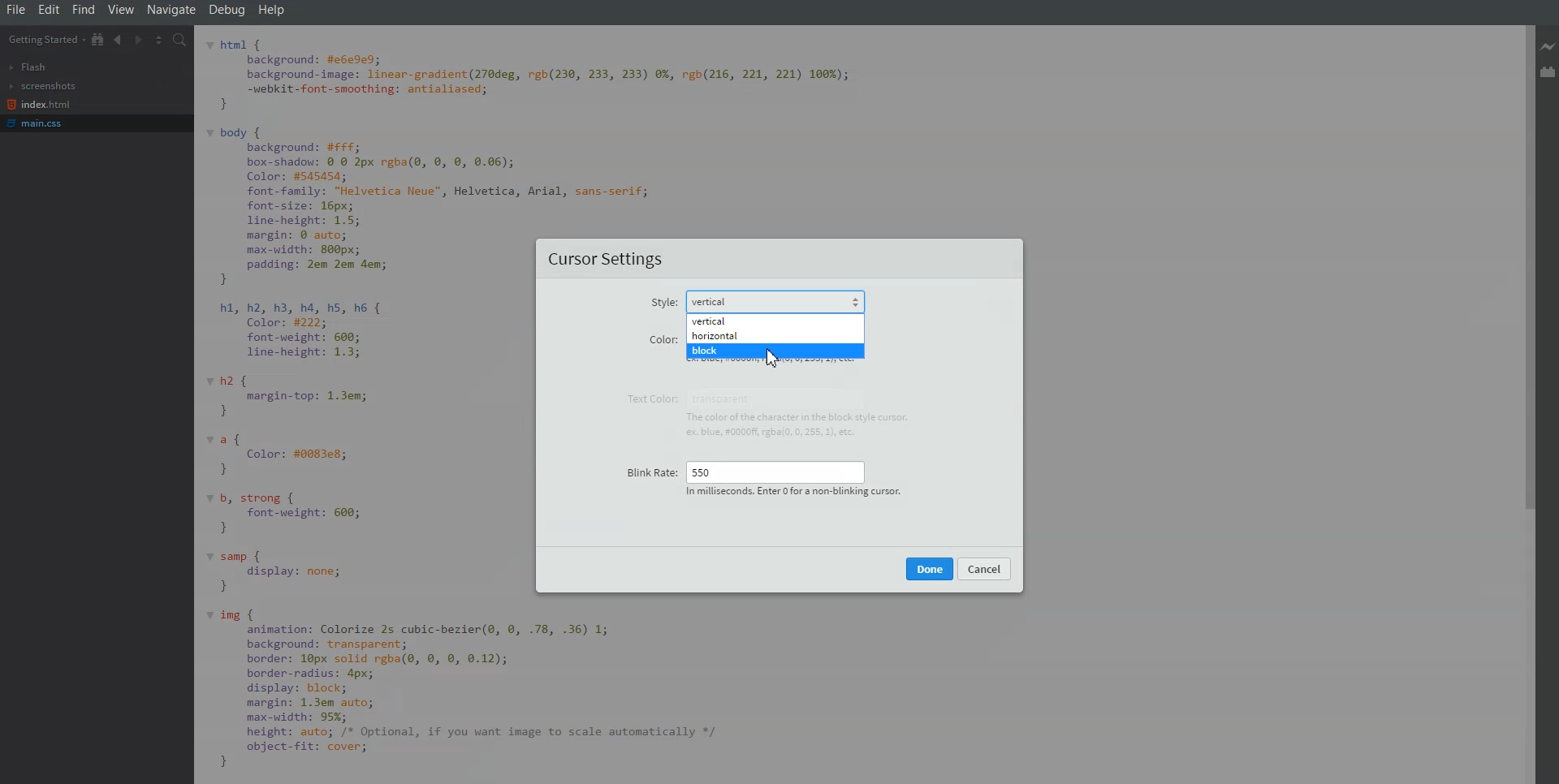 Image resolution: width=1559 pixels, height=784 pixels. I want to click on In milliseconds. Enter 0 for a non-blinking cursor., so click(791, 493).